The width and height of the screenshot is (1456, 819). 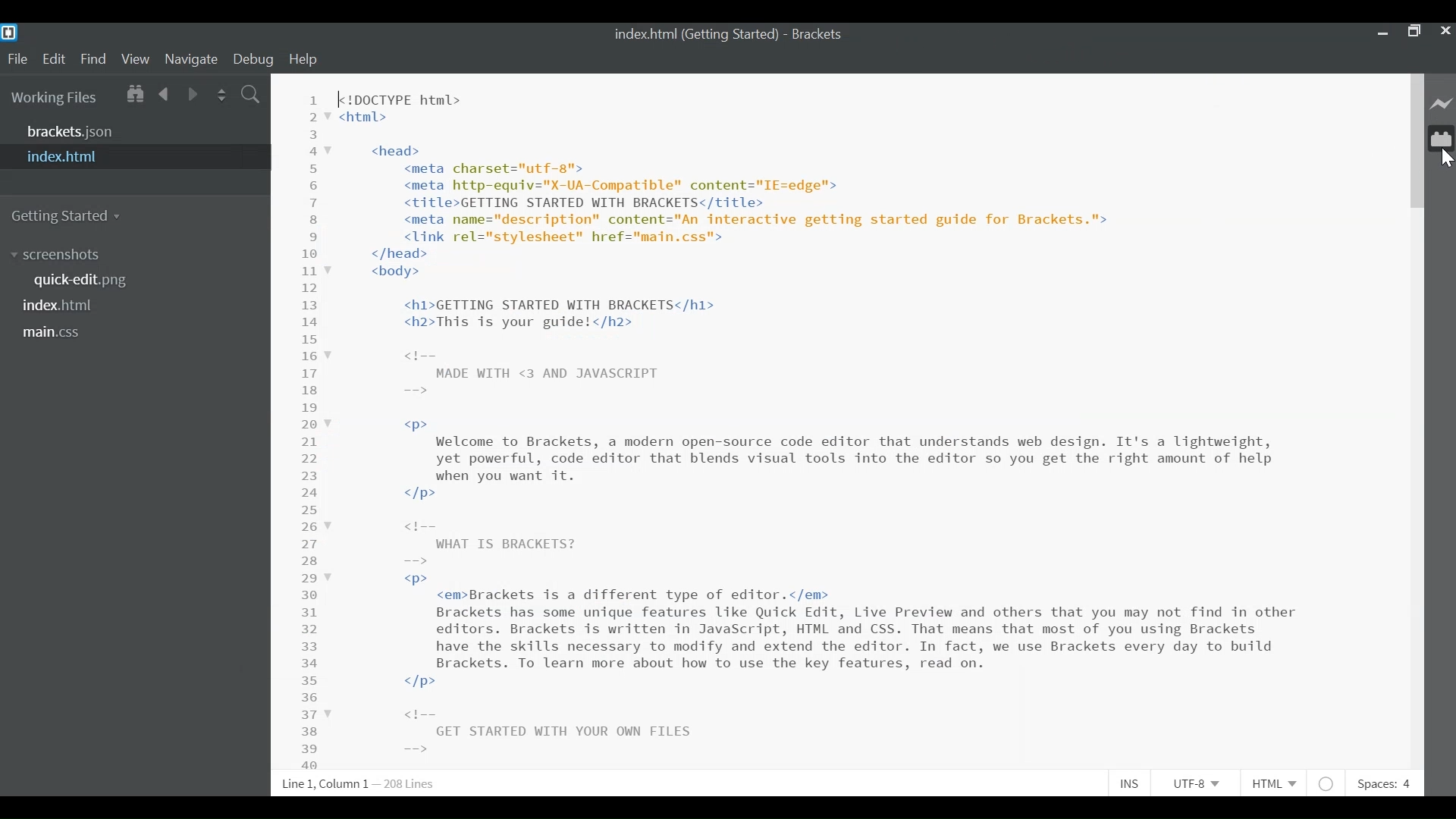 What do you see at coordinates (135, 60) in the screenshot?
I see `View` at bounding box center [135, 60].